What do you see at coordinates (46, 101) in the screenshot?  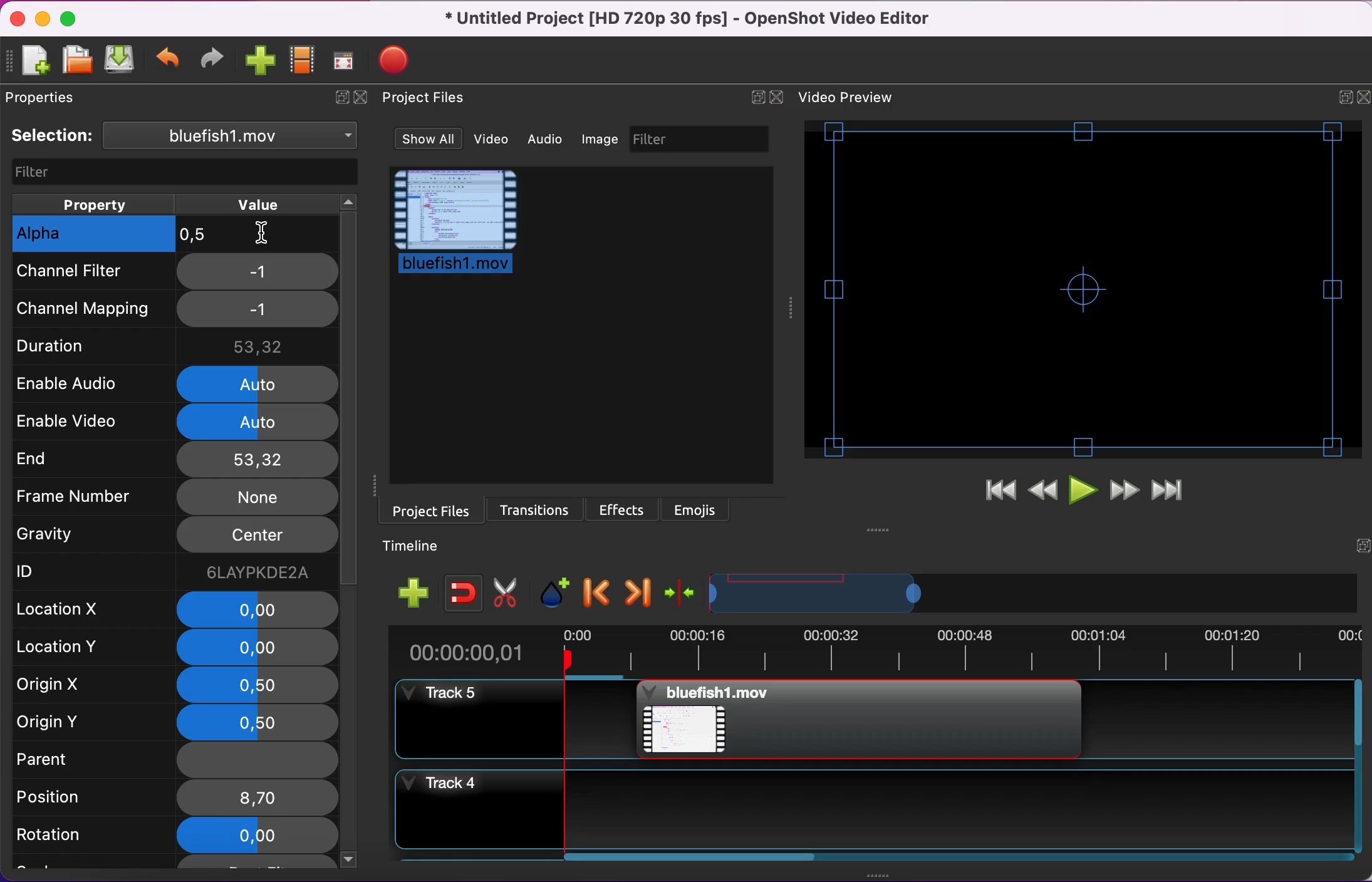 I see `properties` at bounding box center [46, 101].